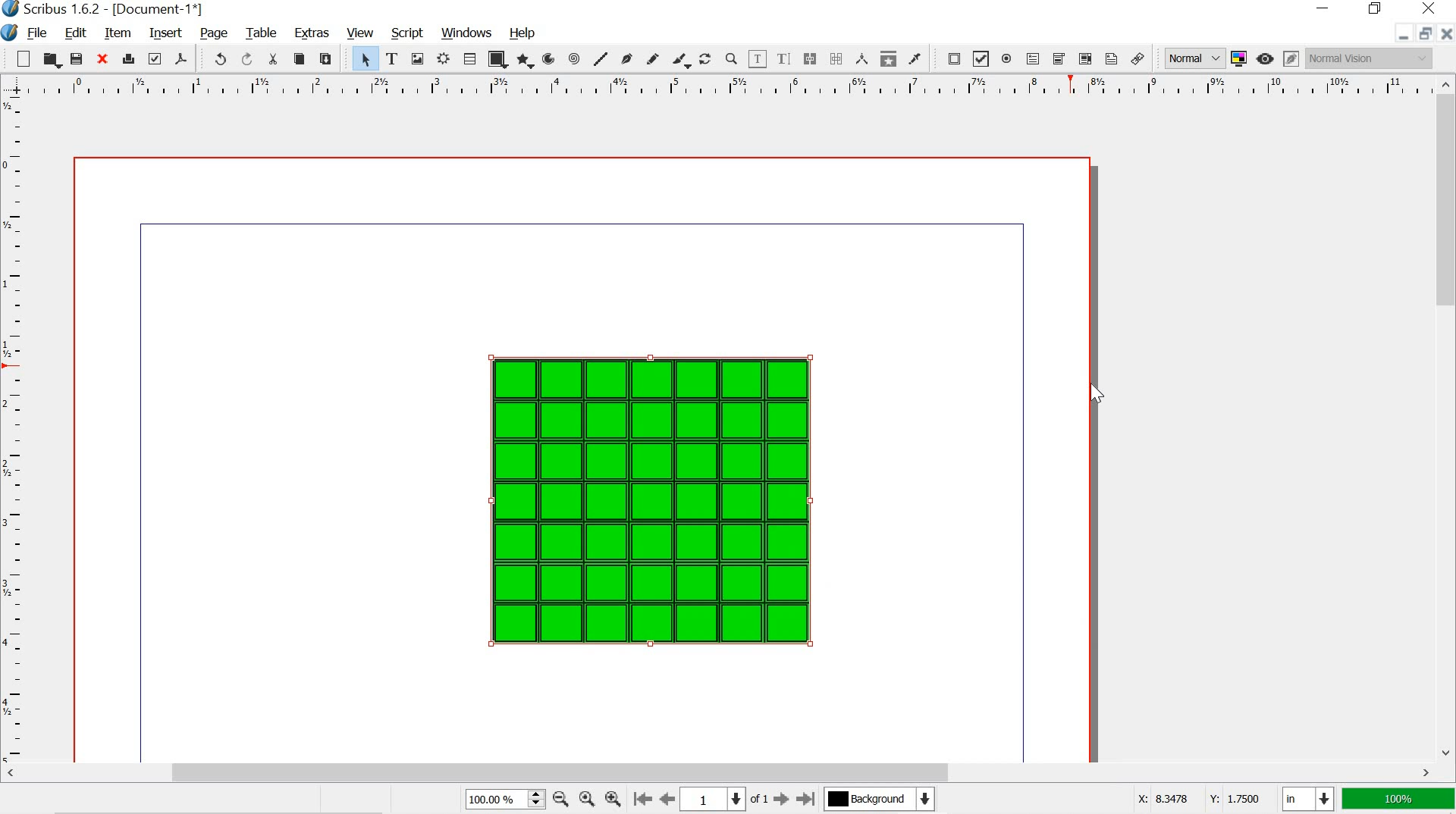 The image size is (1456, 814). What do you see at coordinates (77, 33) in the screenshot?
I see `edit` at bounding box center [77, 33].